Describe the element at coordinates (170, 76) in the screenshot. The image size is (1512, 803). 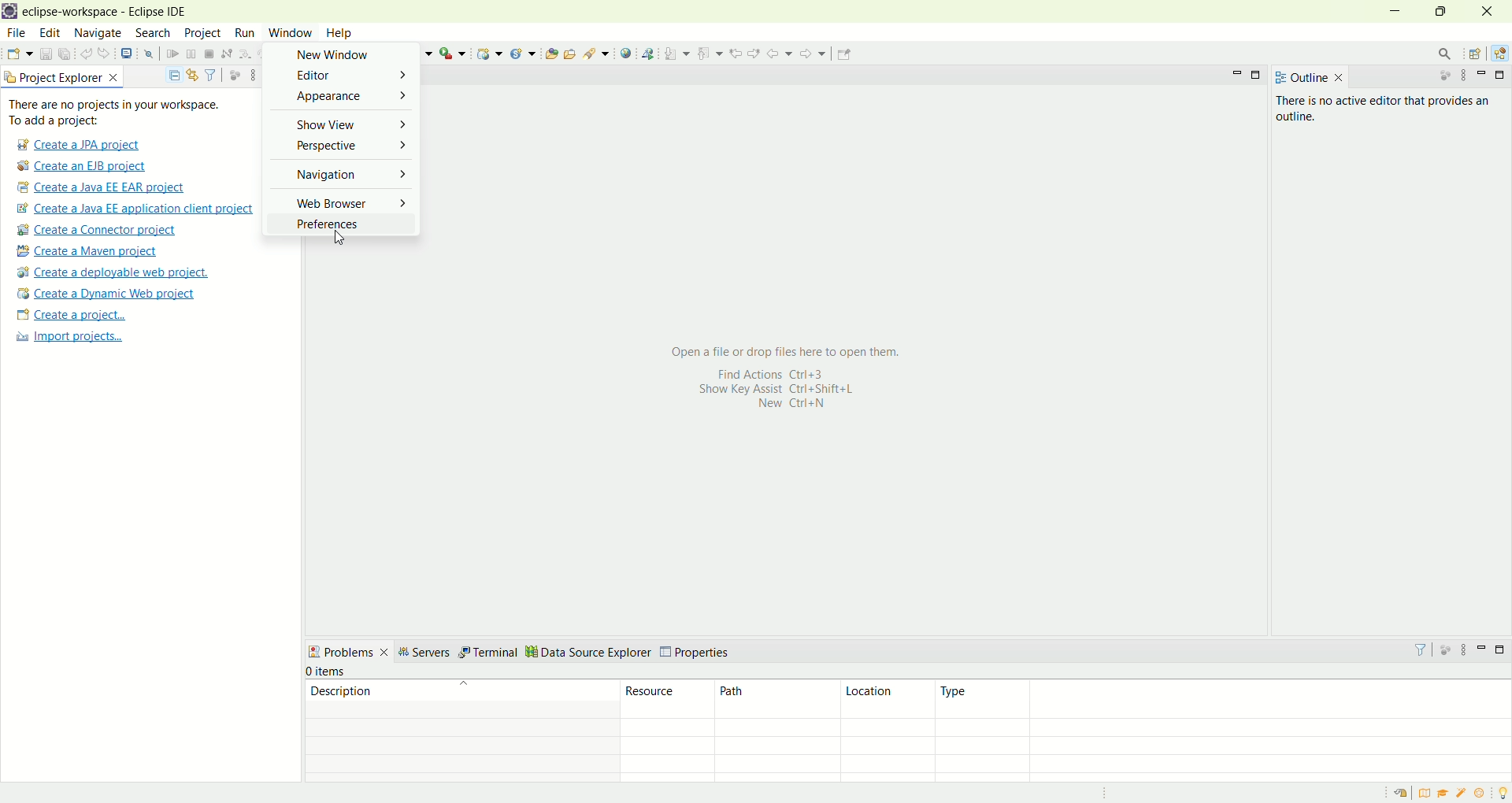
I see `collapse all` at that location.